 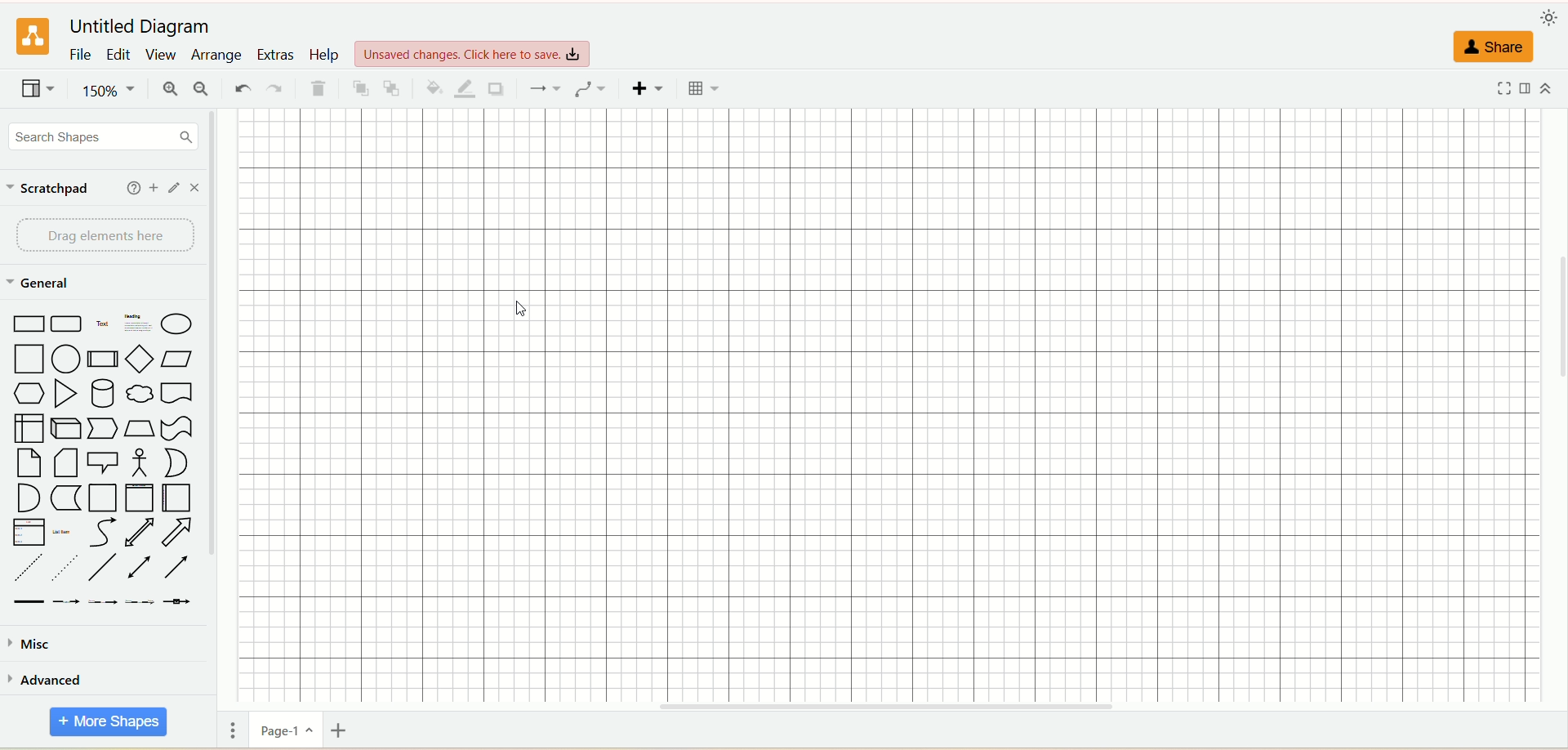 I want to click on edit, so click(x=119, y=54).